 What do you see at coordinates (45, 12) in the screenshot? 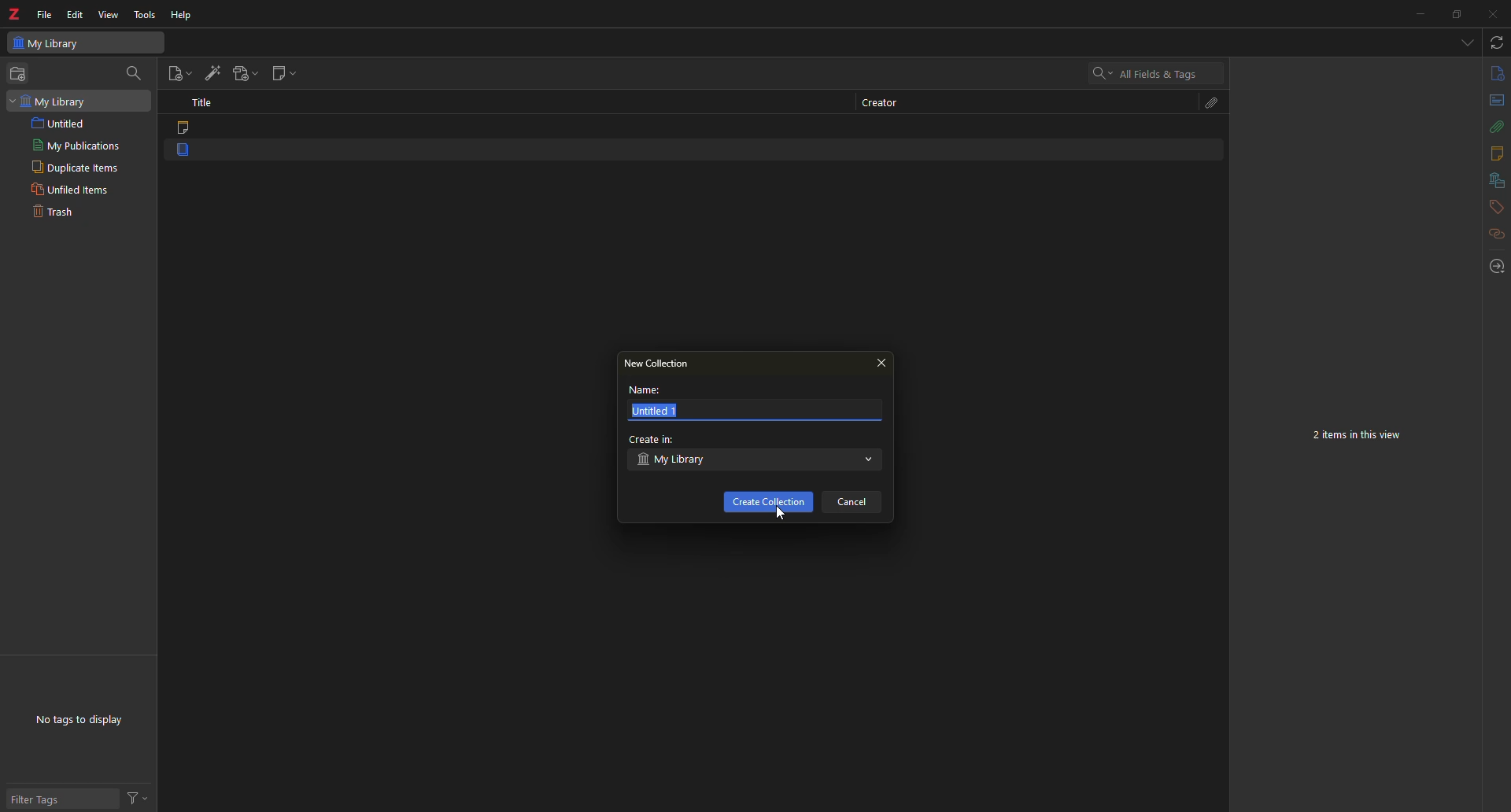
I see `file` at bounding box center [45, 12].